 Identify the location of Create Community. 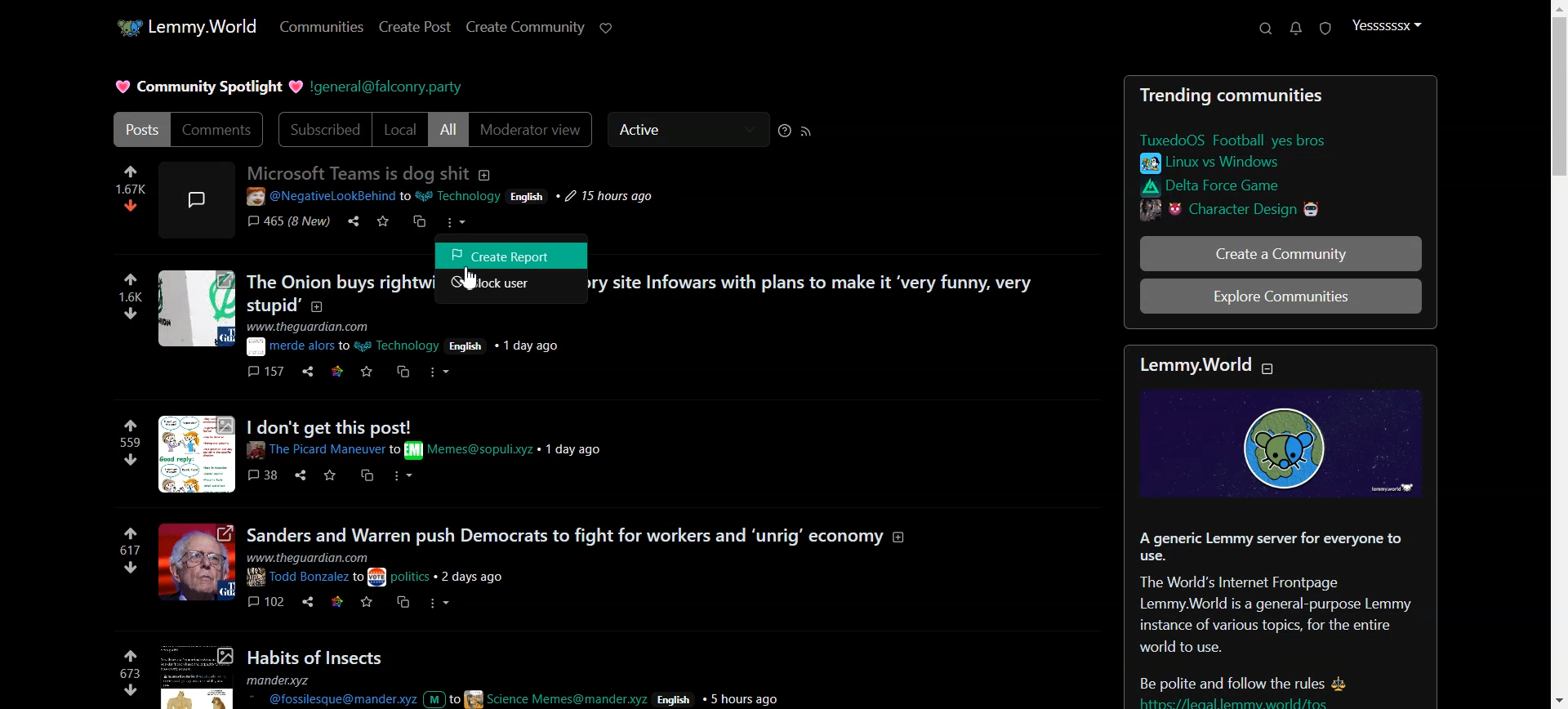
(525, 27).